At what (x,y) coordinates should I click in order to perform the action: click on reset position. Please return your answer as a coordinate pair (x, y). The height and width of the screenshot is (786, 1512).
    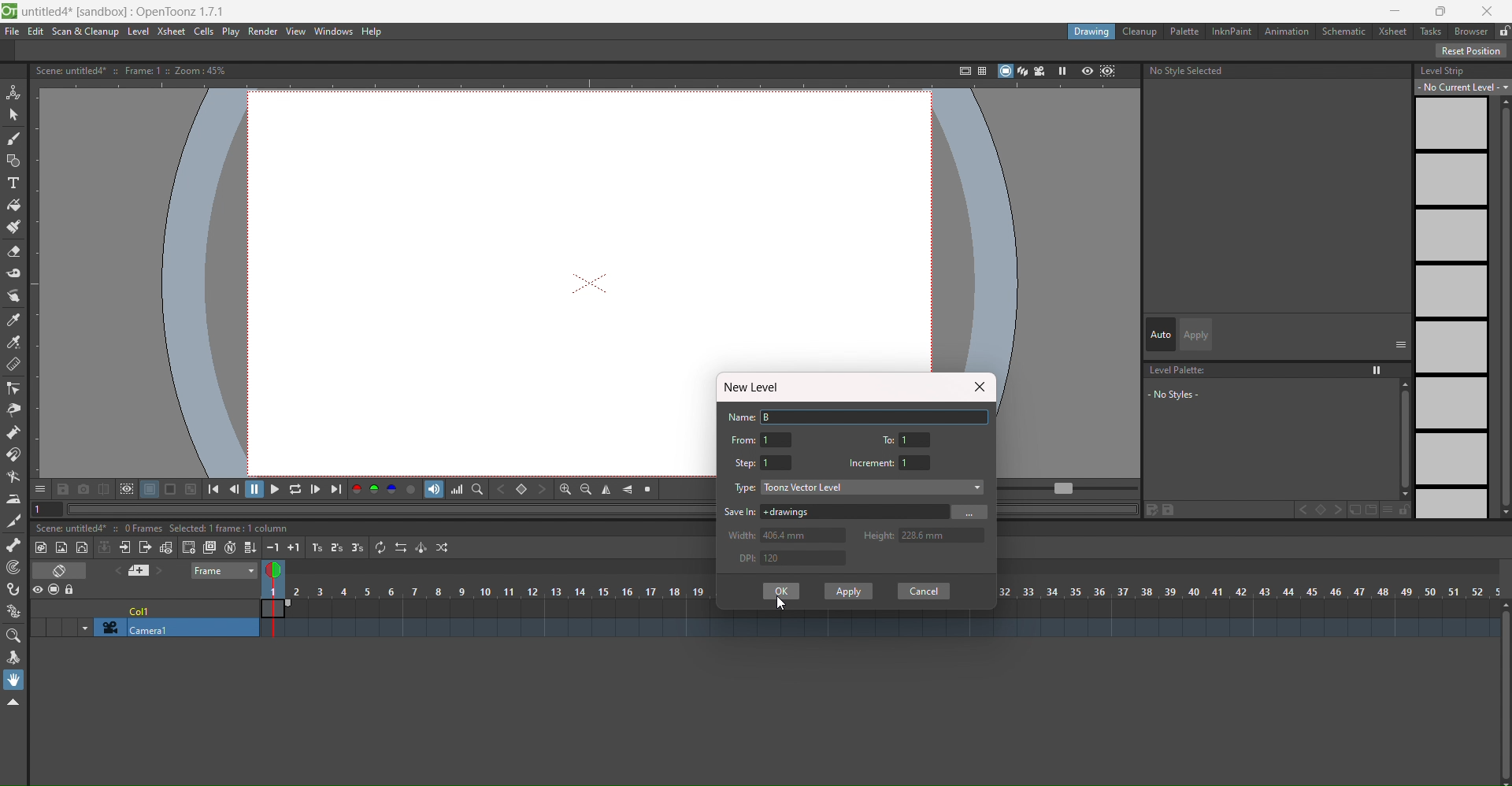
    Looking at the image, I should click on (1472, 50).